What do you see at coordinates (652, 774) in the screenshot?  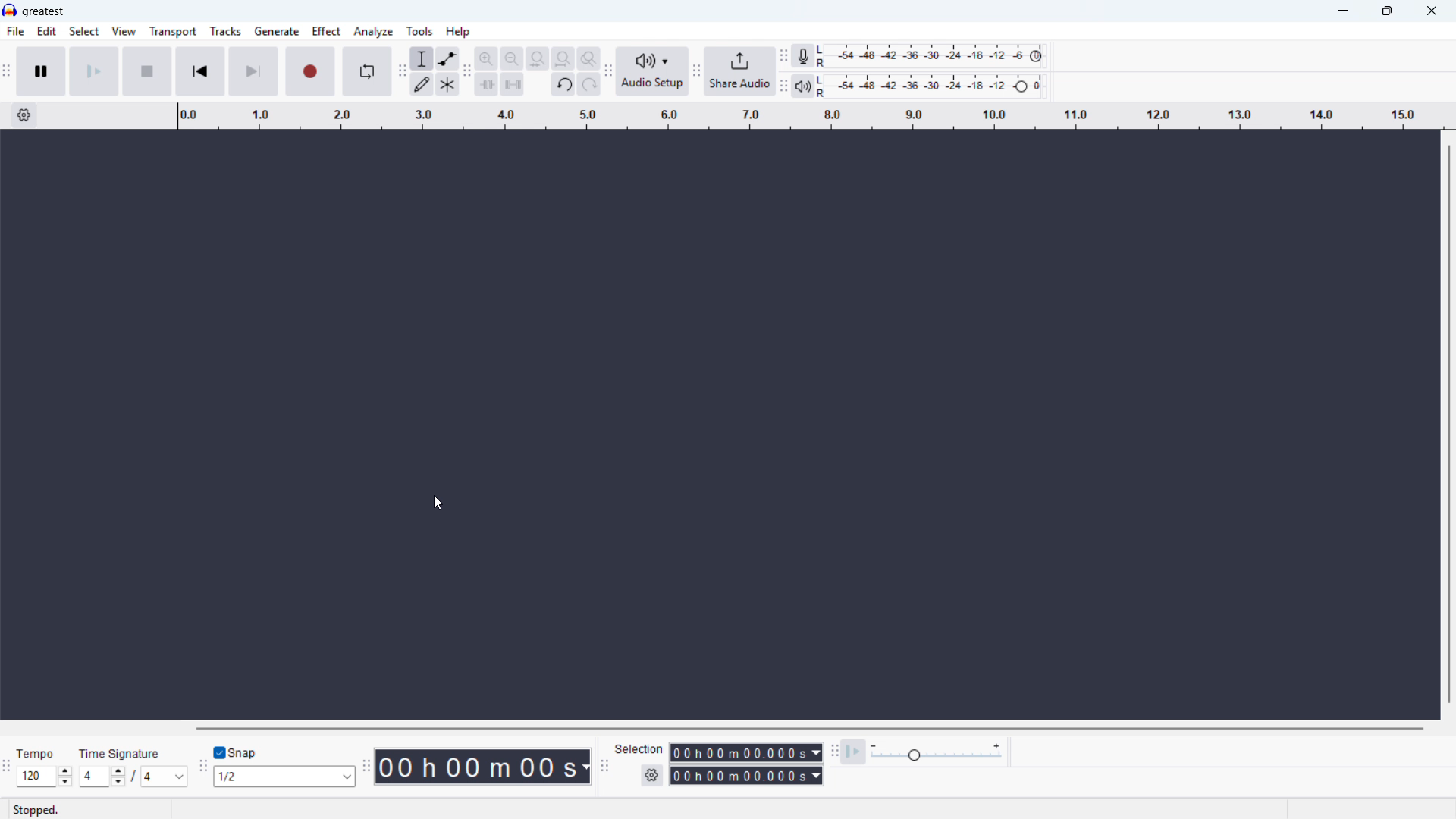 I see `Selection settings ` at bounding box center [652, 774].